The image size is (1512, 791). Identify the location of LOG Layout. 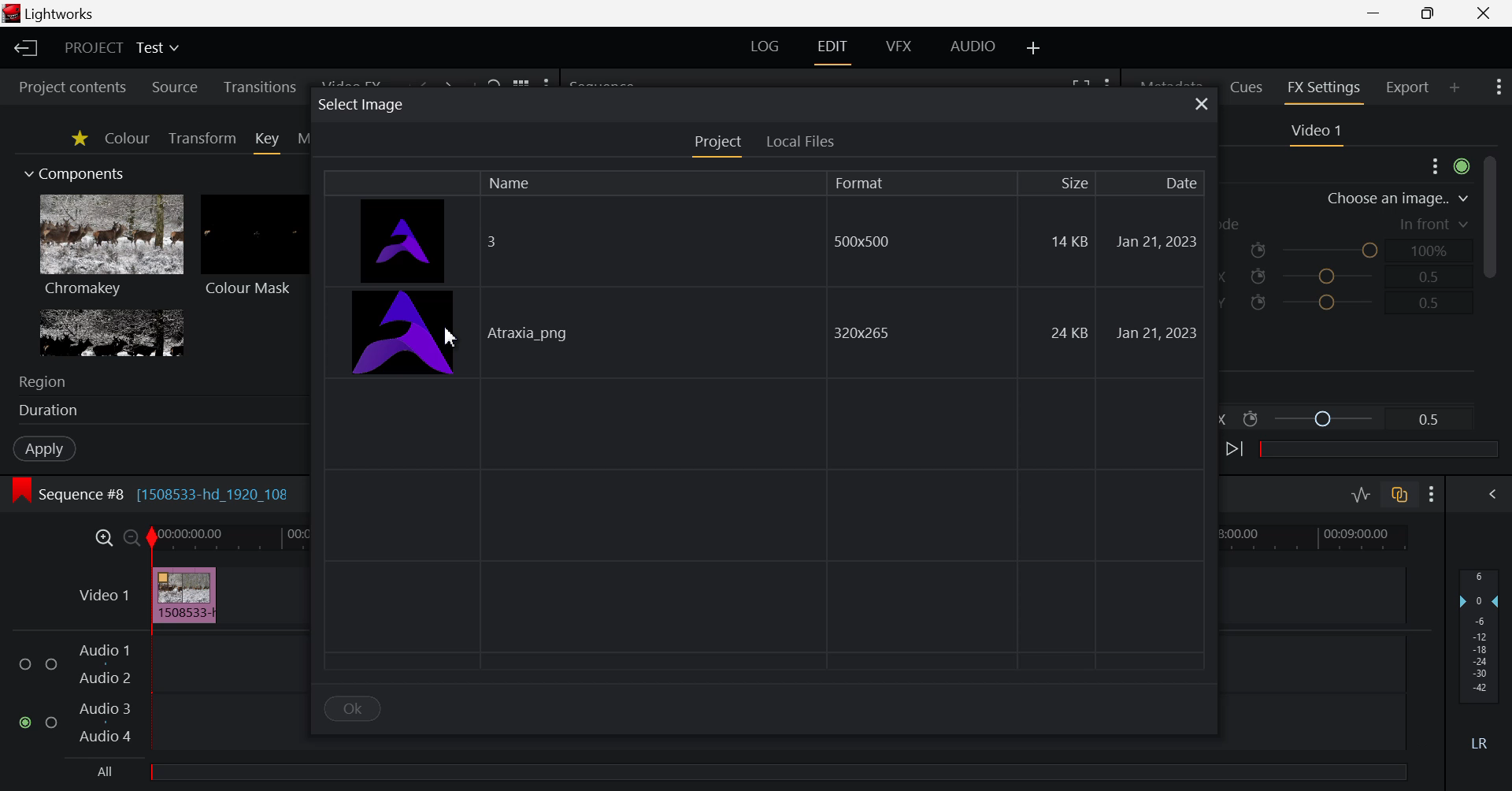
(769, 47).